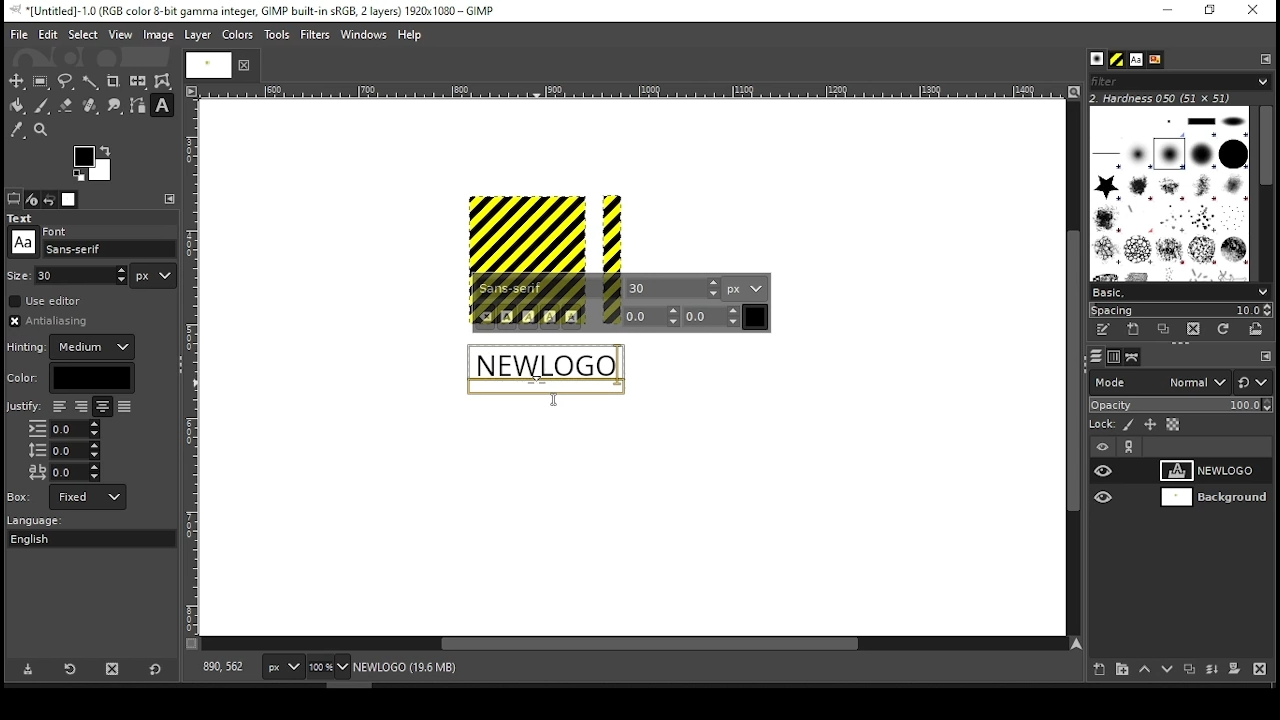  What do you see at coordinates (242, 65) in the screenshot?
I see `close` at bounding box center [242, 65].